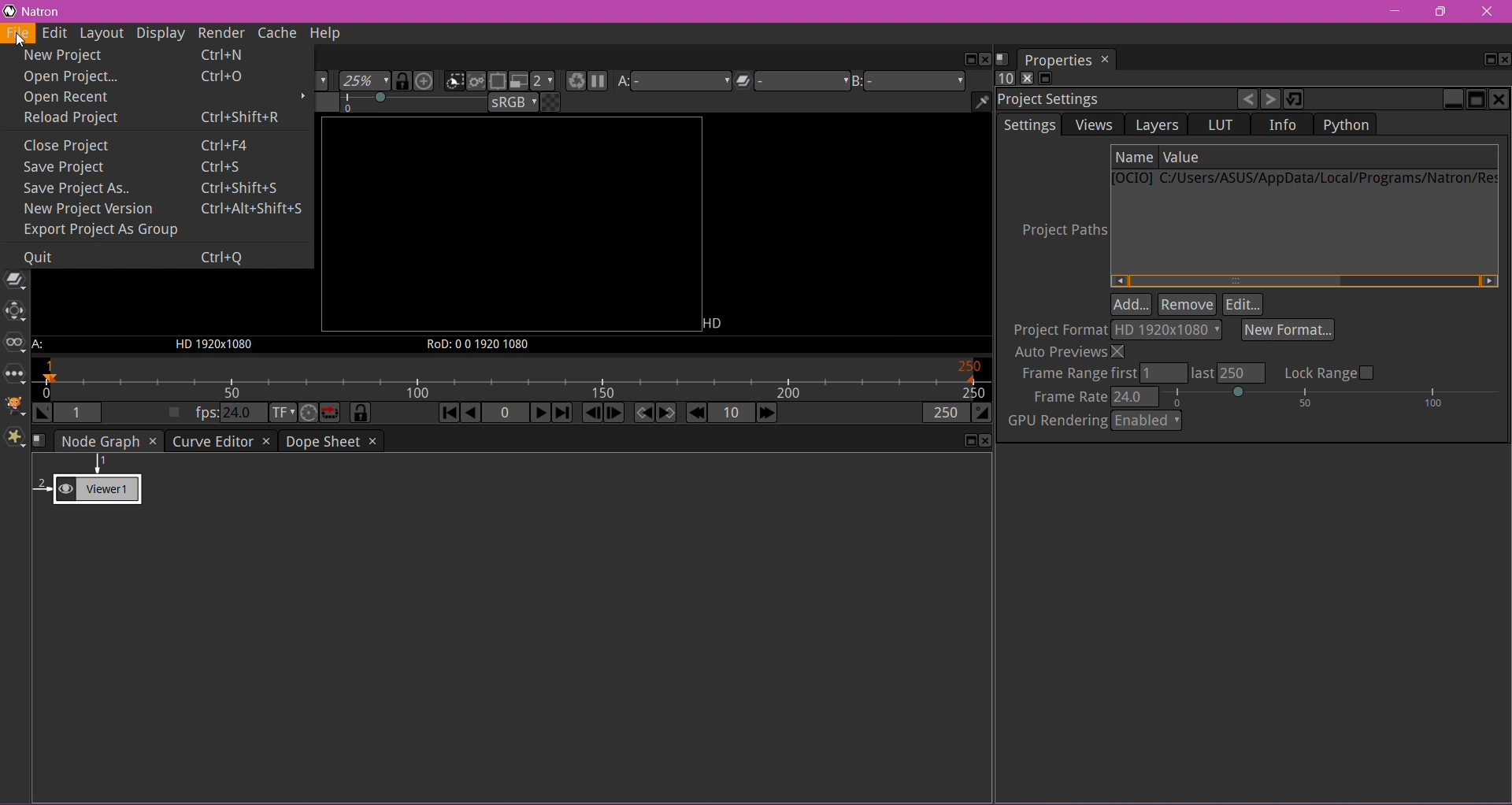 The image size is (1512, 805). I want to click on Scales the image so it doesn't exceed sixe of the viewer and centers it, so click(423, 82).